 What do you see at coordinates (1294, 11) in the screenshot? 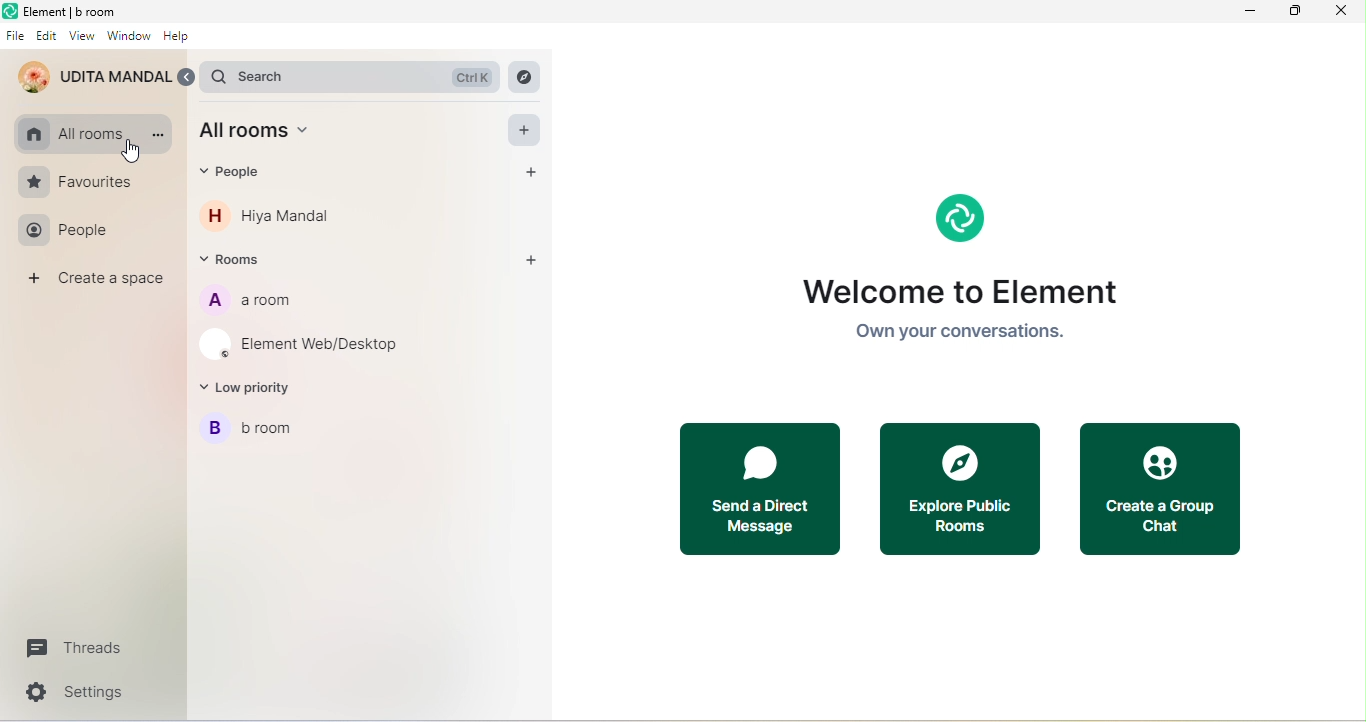
I see `maximize` at bounding box center [1294, 11].